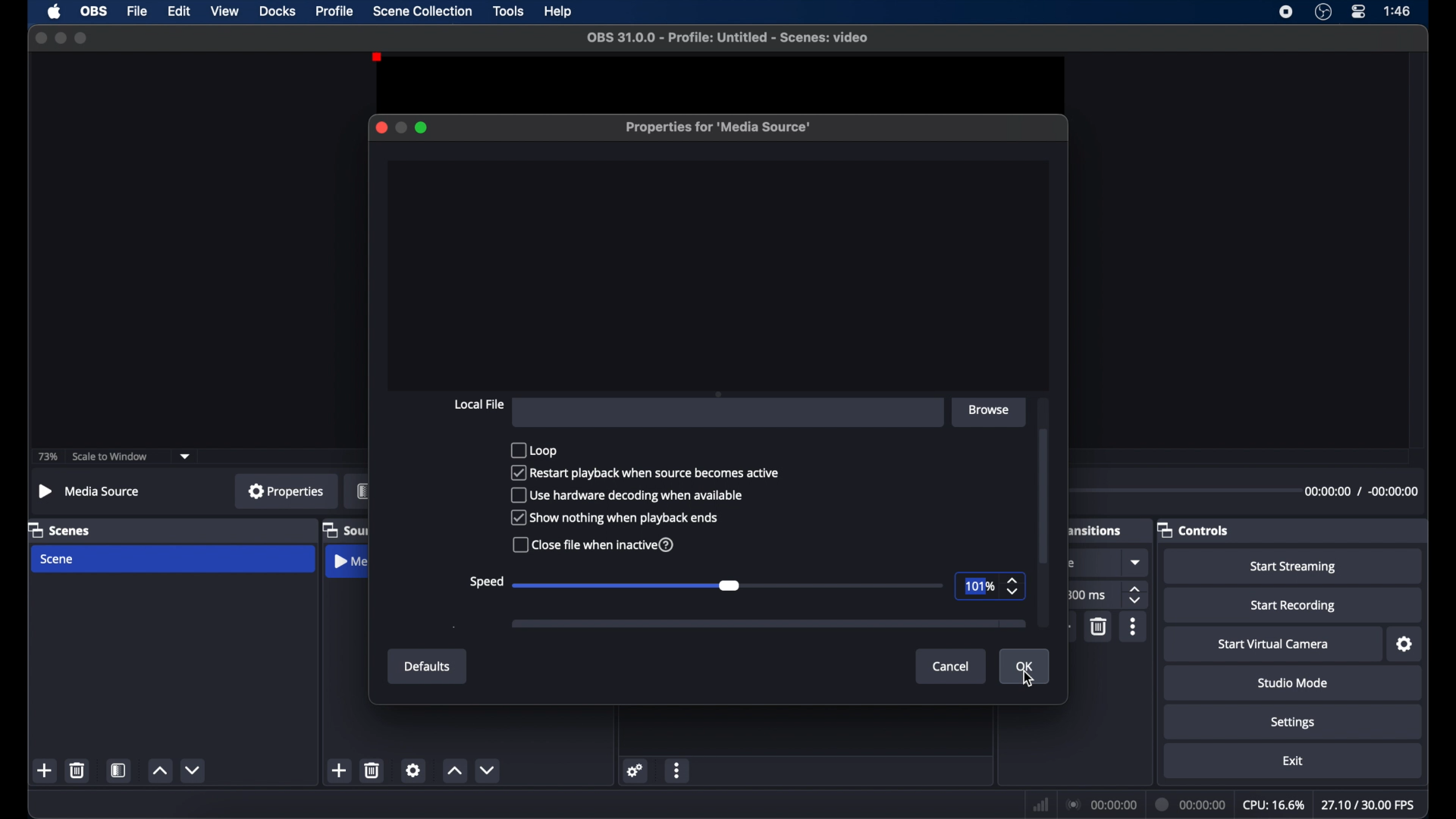 The image size is (1456, 819). I want to click on scene filters, so click(118, 770).